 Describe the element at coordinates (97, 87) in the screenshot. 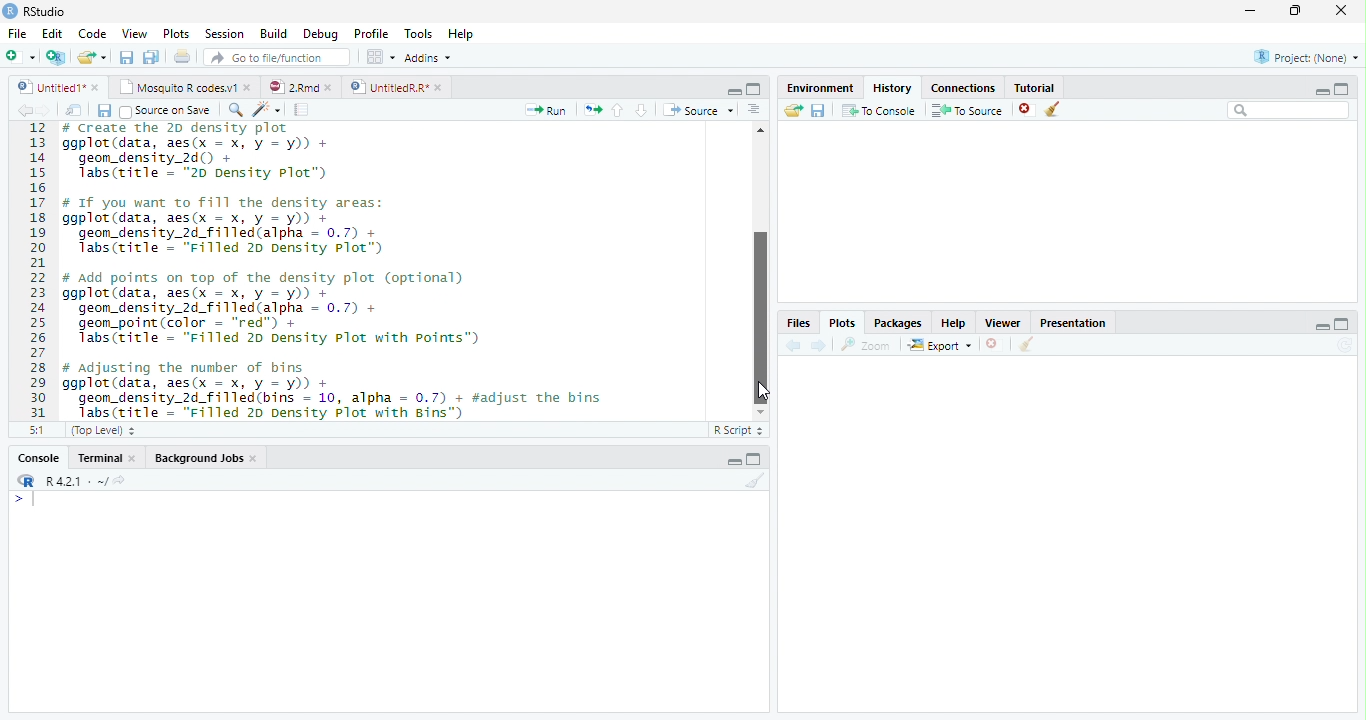

I see `close` at that location.